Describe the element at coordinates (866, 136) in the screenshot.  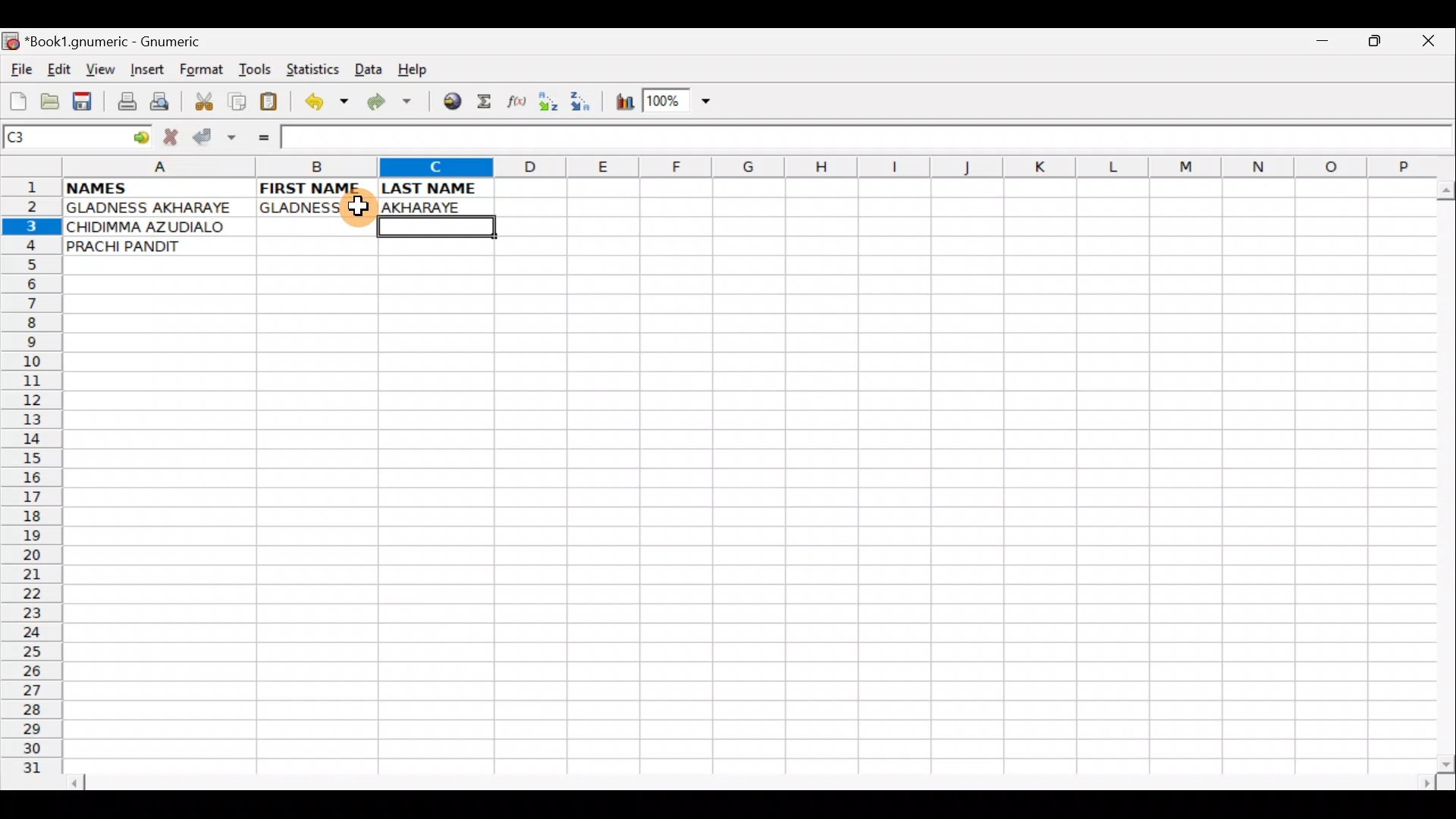
I see `Formula bar` at that location.